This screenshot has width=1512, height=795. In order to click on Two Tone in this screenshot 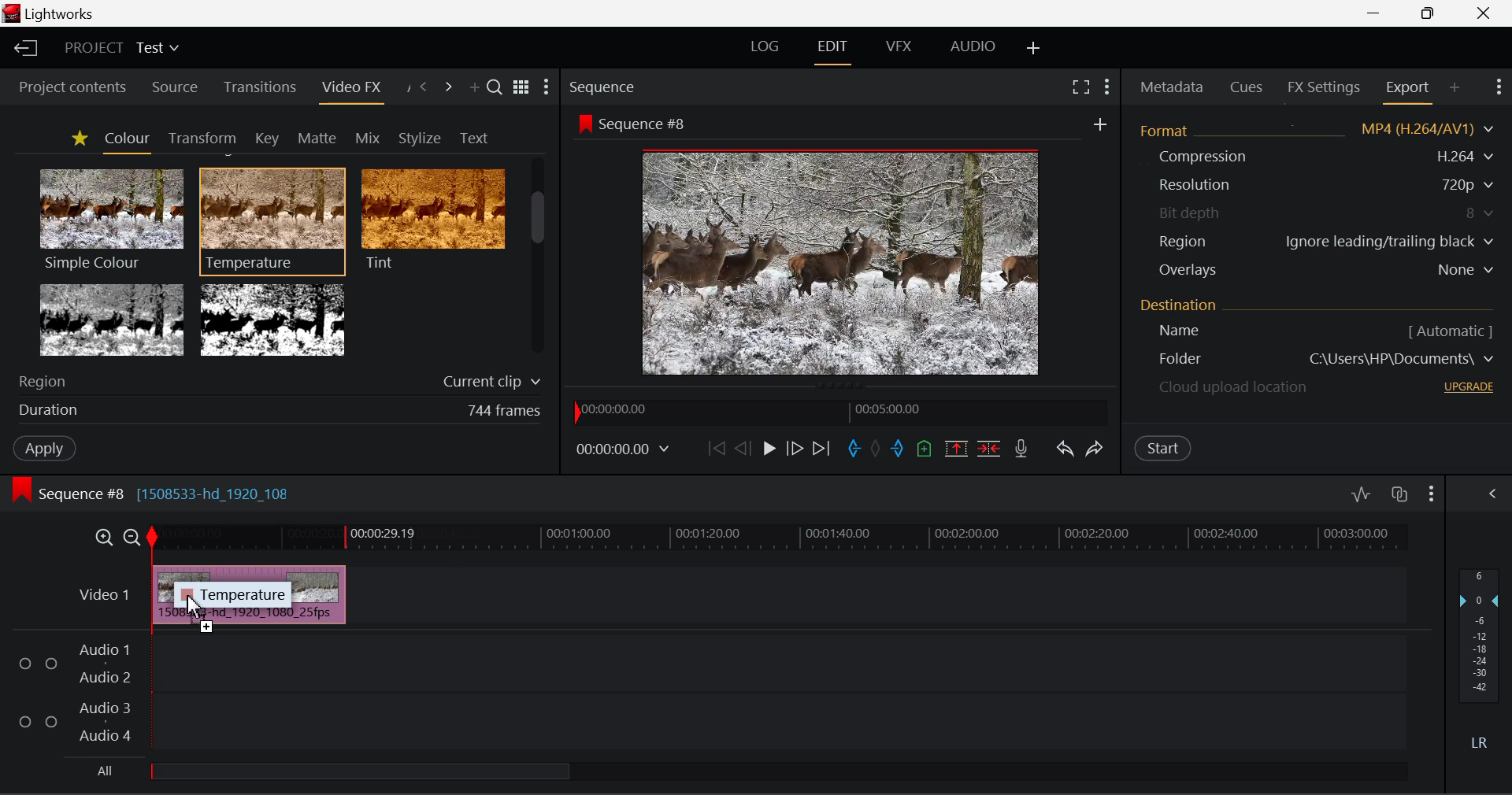, I will do `click(270, 319)`.